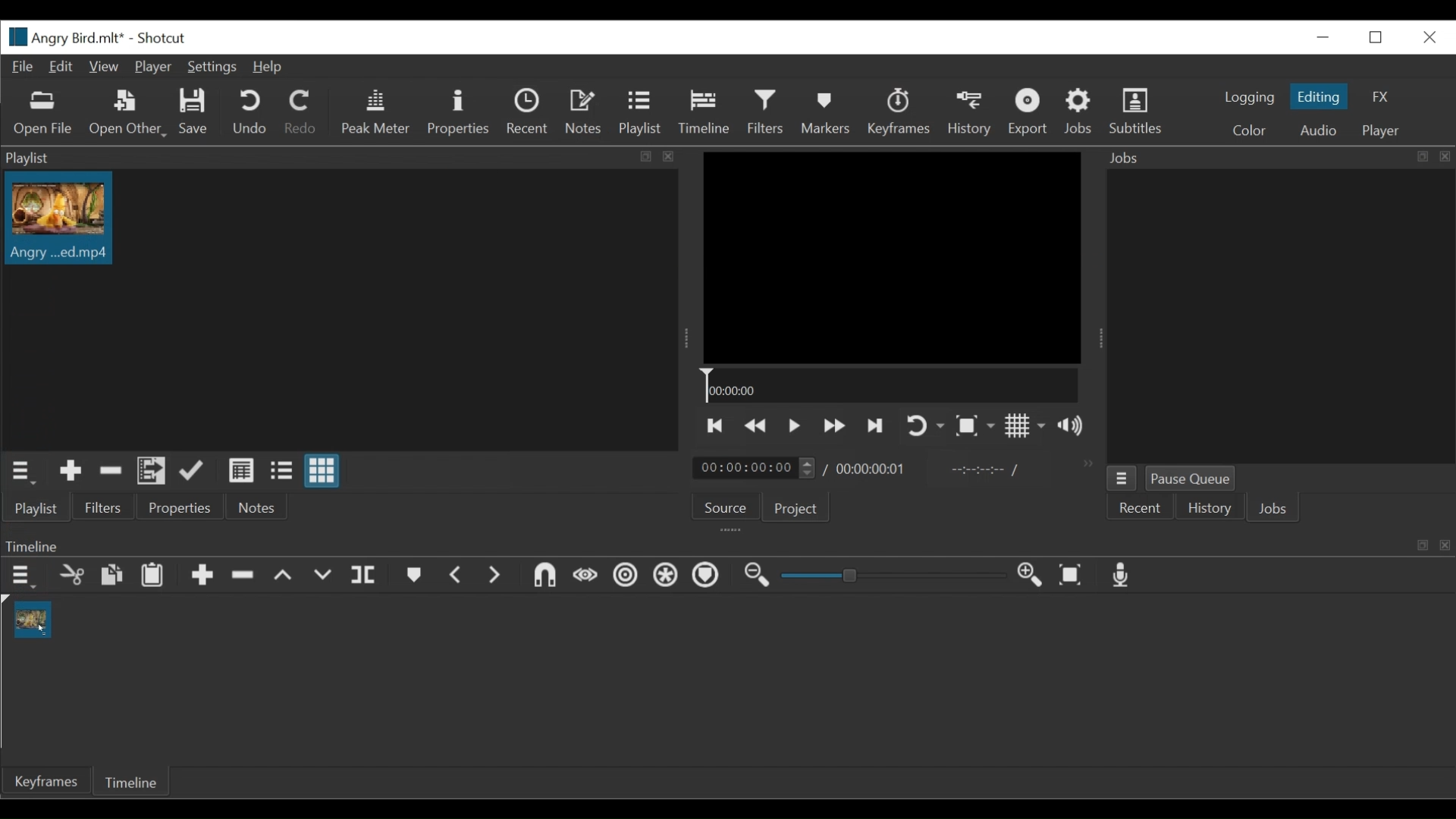 The image size is (1456, 819). I want to click on Timeline Panel, so click(724, 544).